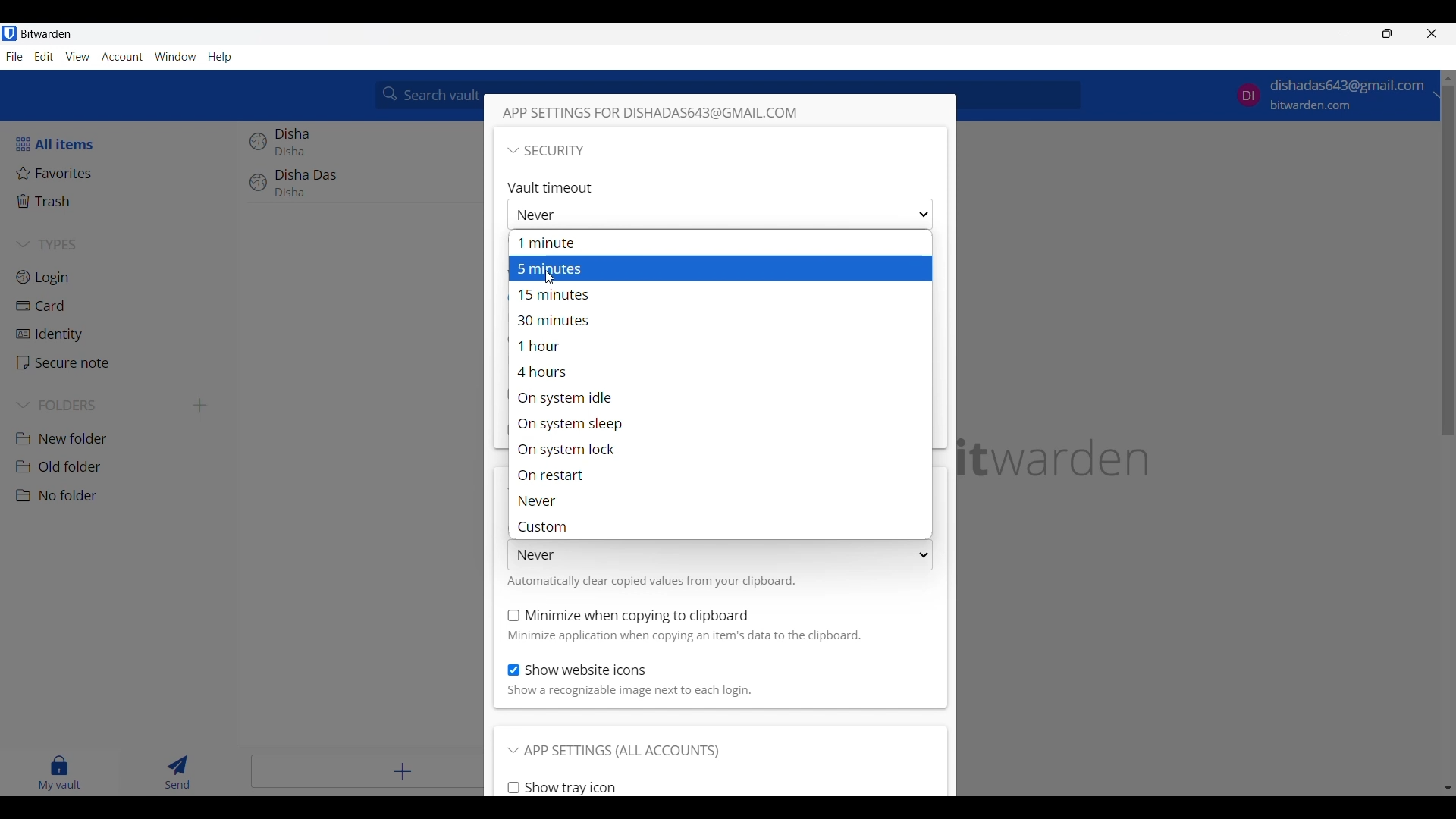 This screenshot has height=819, width=1456. Describe the element at coordinates (121, 362) in the screenshot. I see `Secure note` at that location.